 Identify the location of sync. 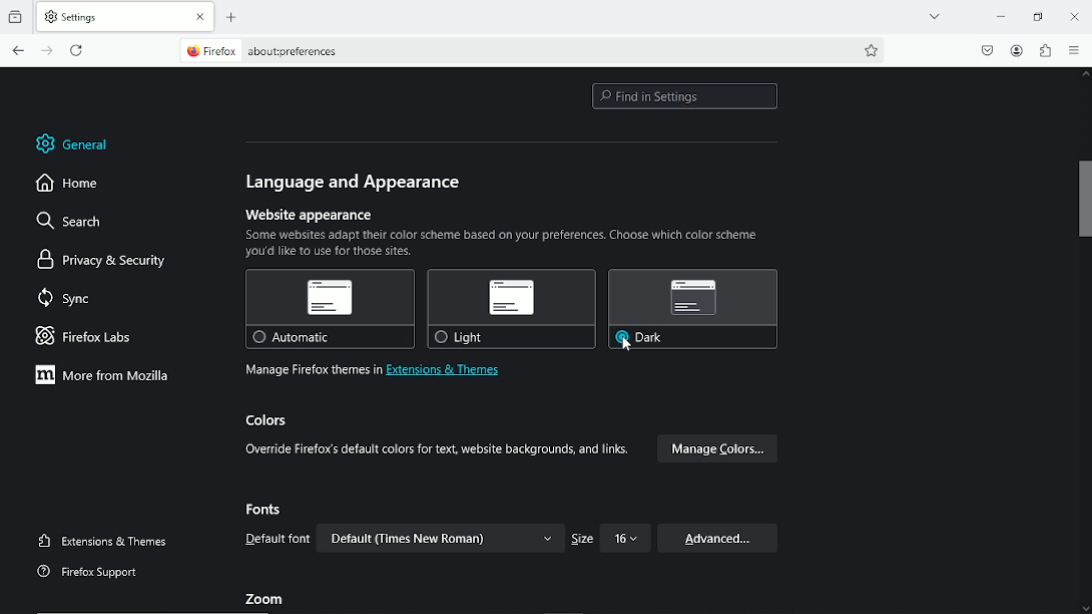
(67, 299).